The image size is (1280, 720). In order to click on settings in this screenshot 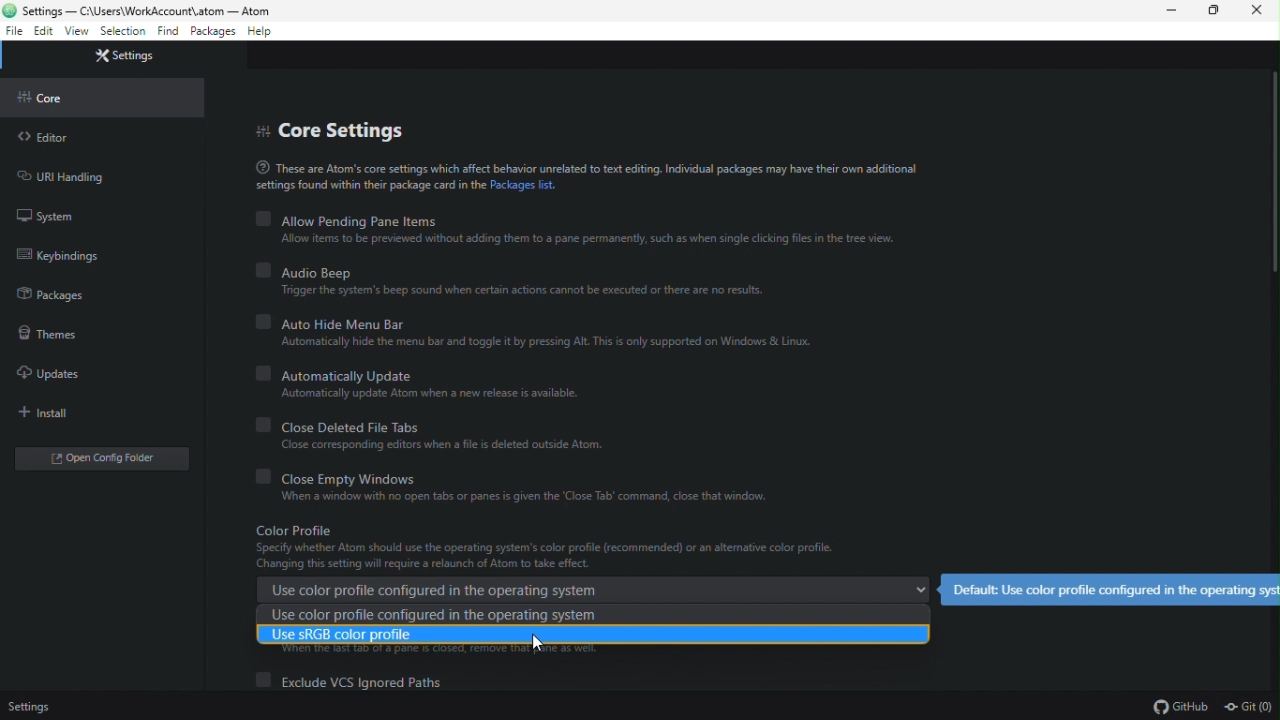, I will do `click(33, 707)`.